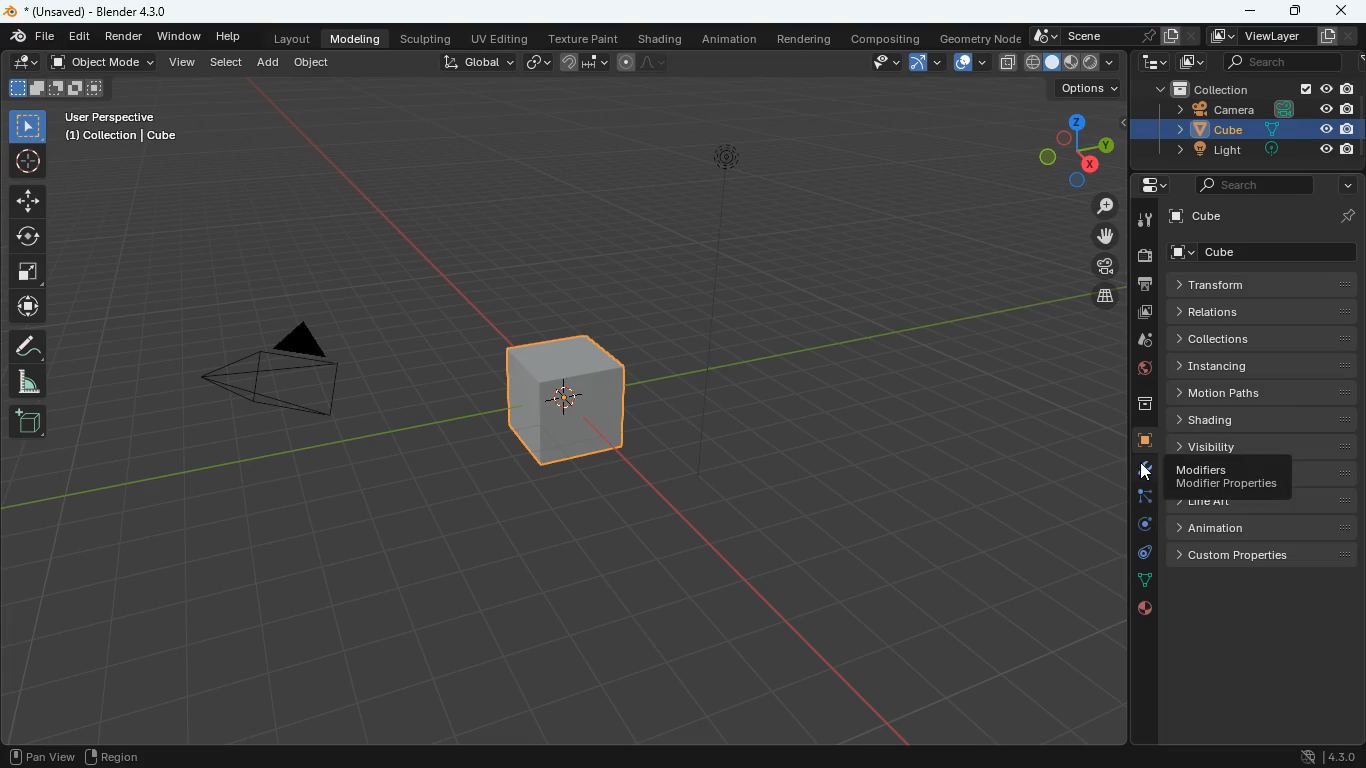 This screenshot has width=1366, height=768. What do you see at coordinates (1247, 187) in the screenshot?
I see `search` at bounding box center [1247, 187].